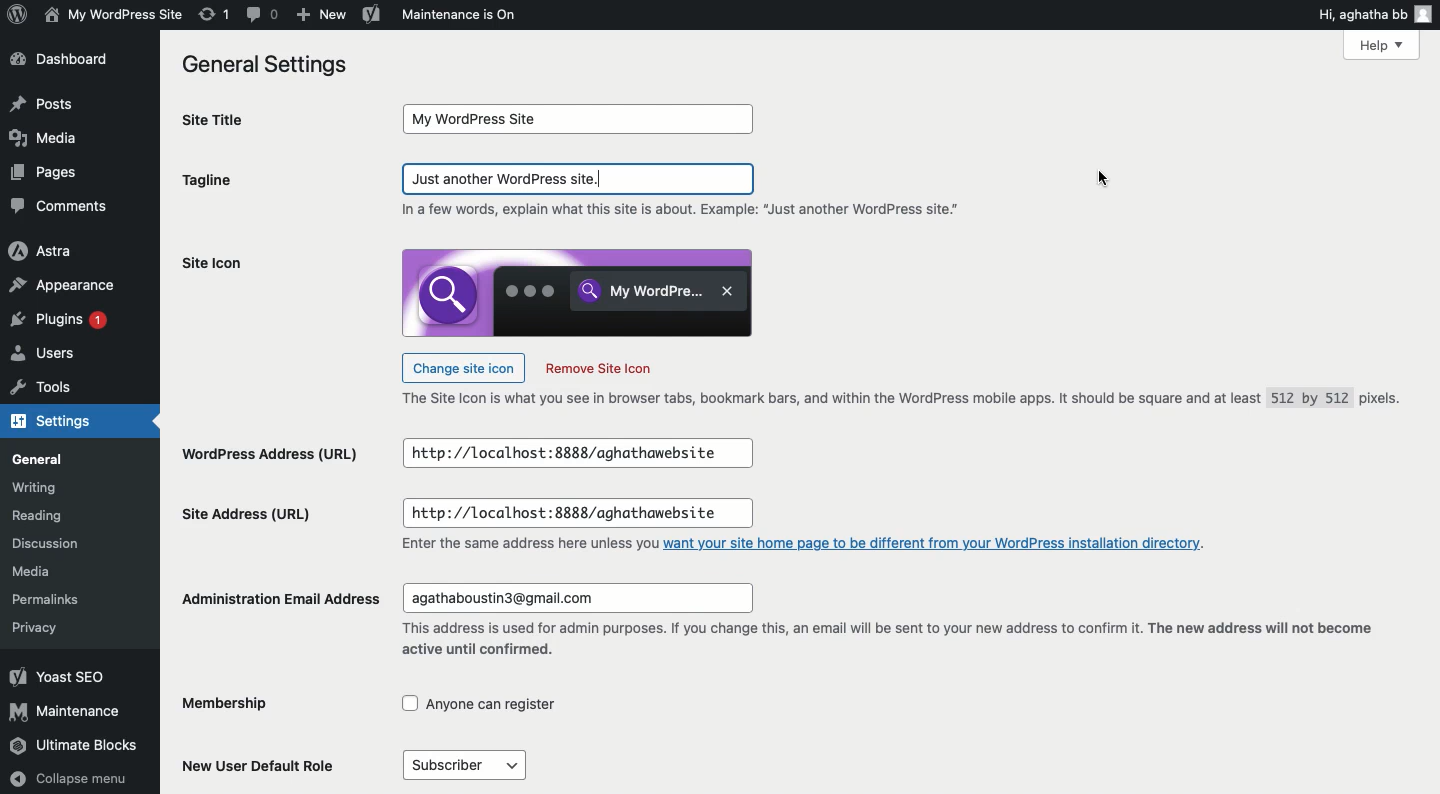 The image size is (1440, 794). Describe the element at coordinates (43, 137) in the screenshot. I see `Media` at that location.